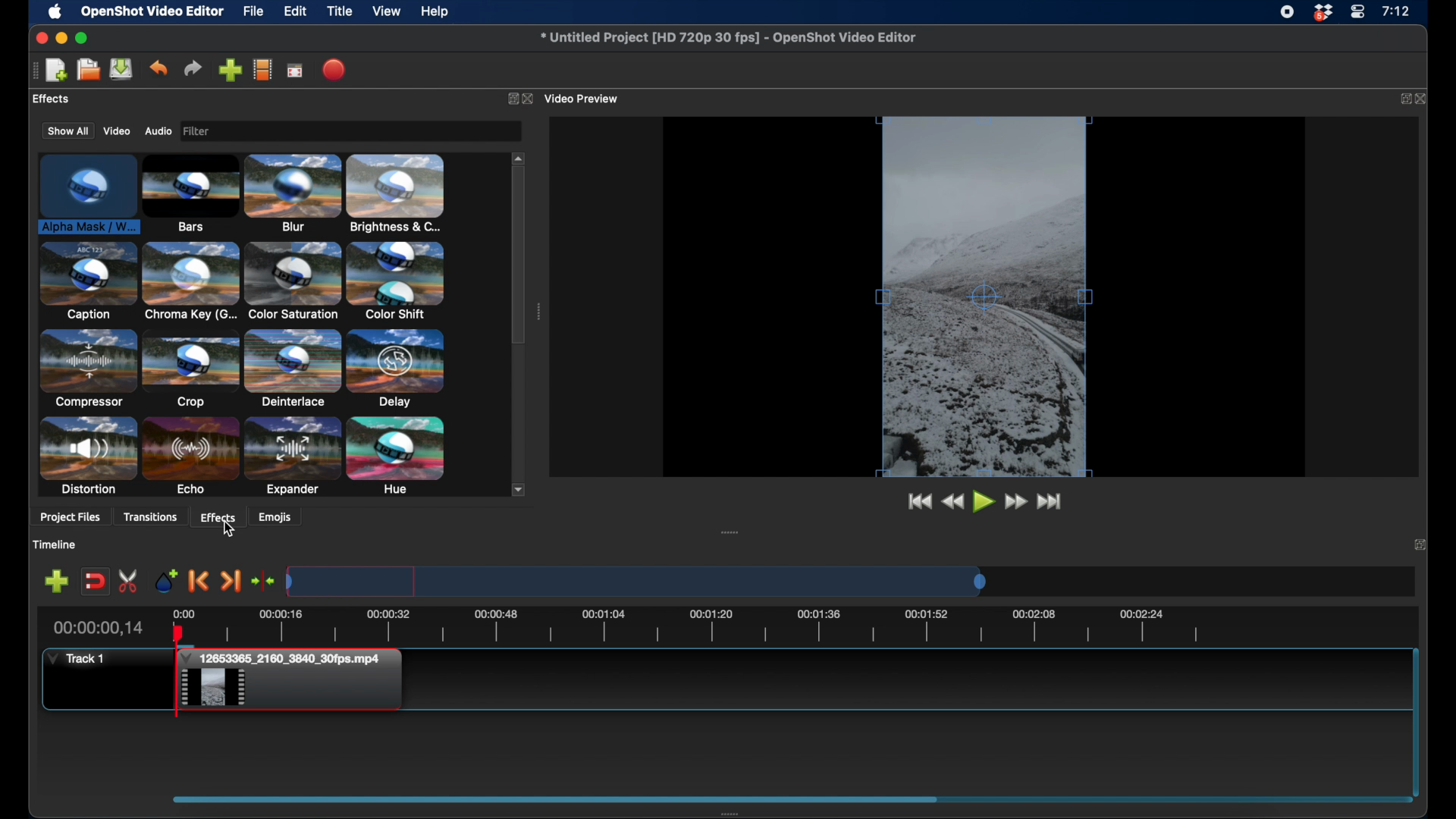  What do you see at coordinates (87, 281) in the screenshot?
I see `caption` at bounding box center [87, 281].